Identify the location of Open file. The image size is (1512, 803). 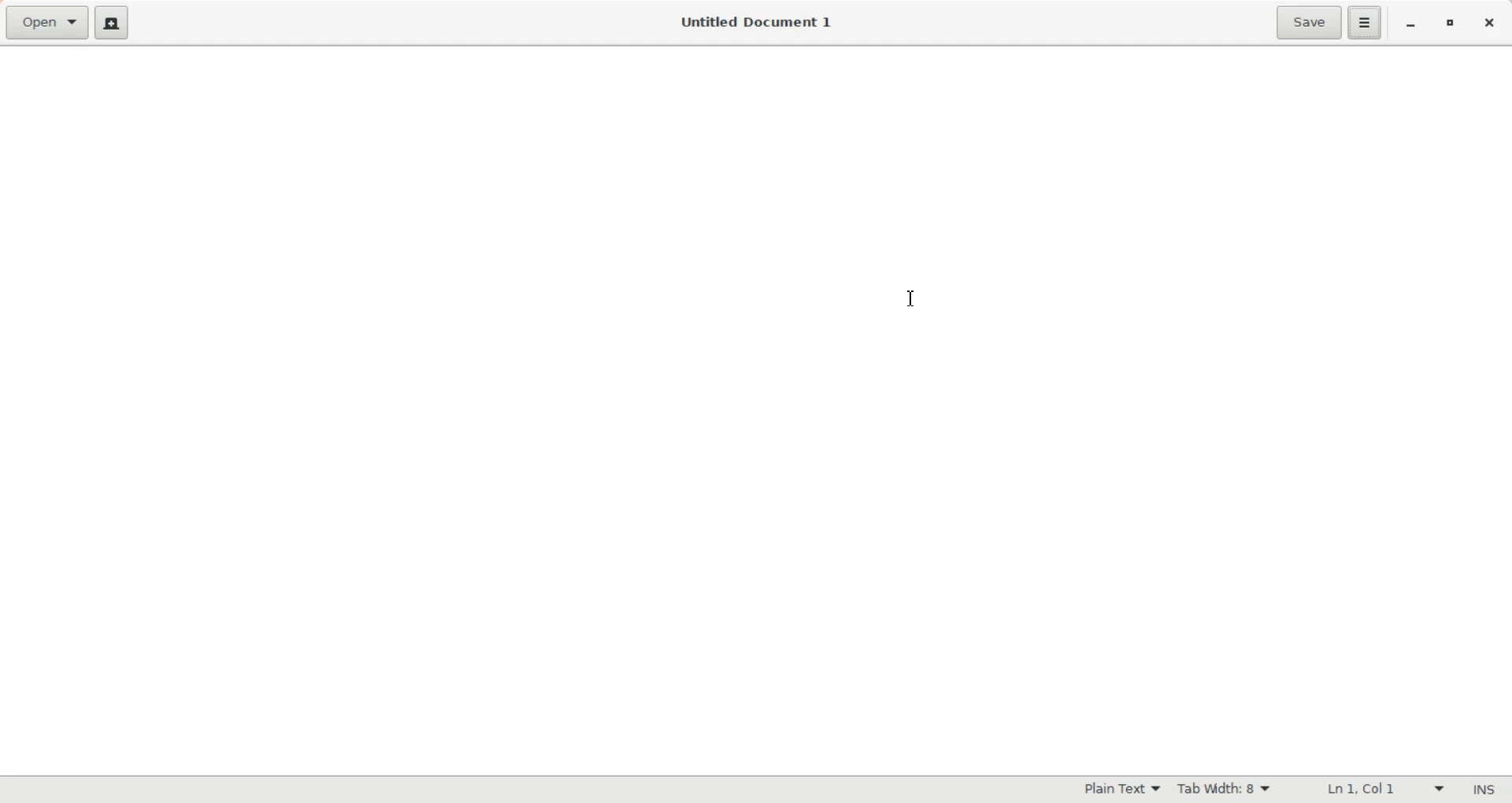
(46, 24).